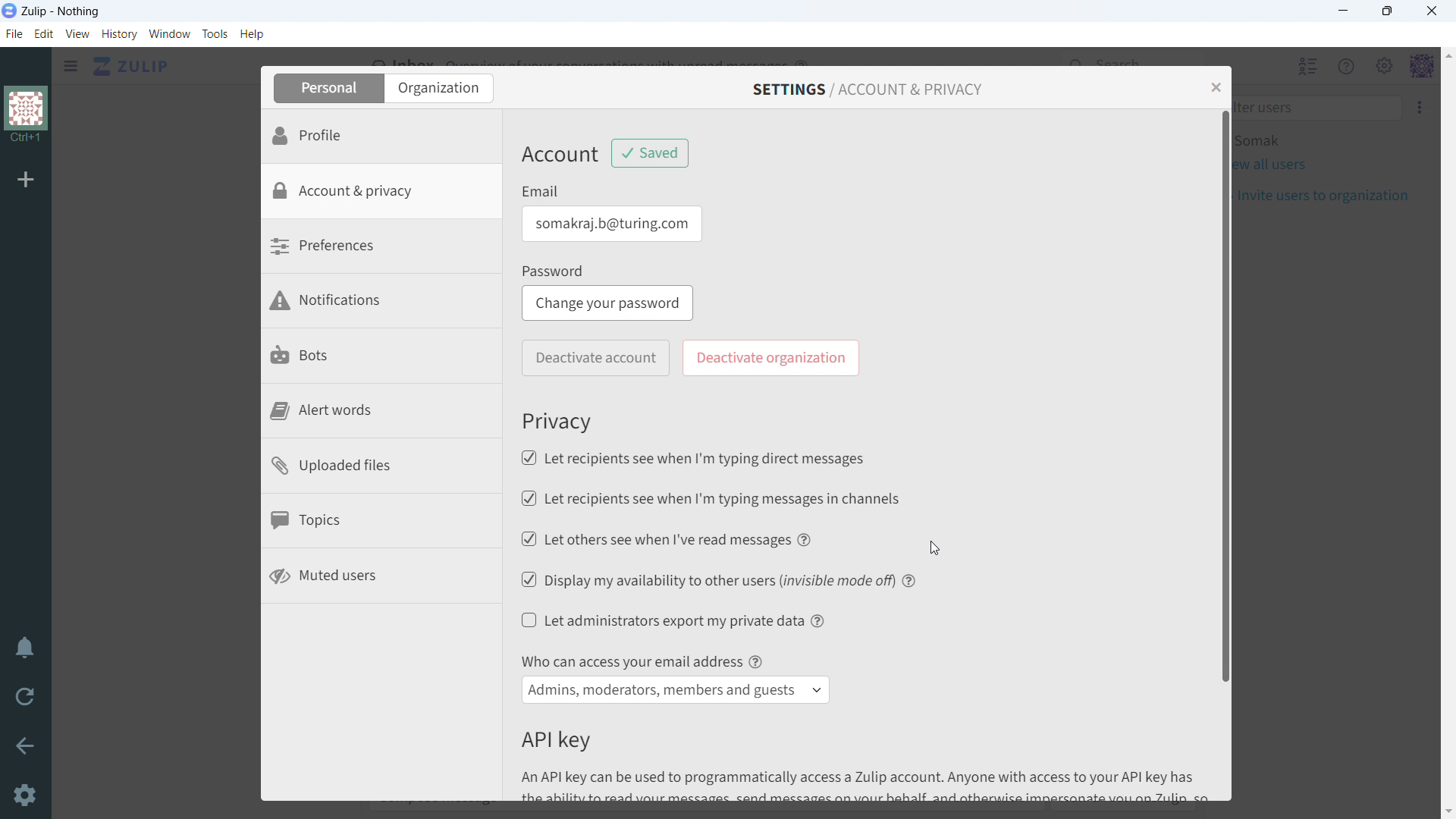 This screenshot has width=1456, height=819. What do you see at coordinates (380, 248) in the screenshot?
I see `preferences` at bounding box center [380, 248].